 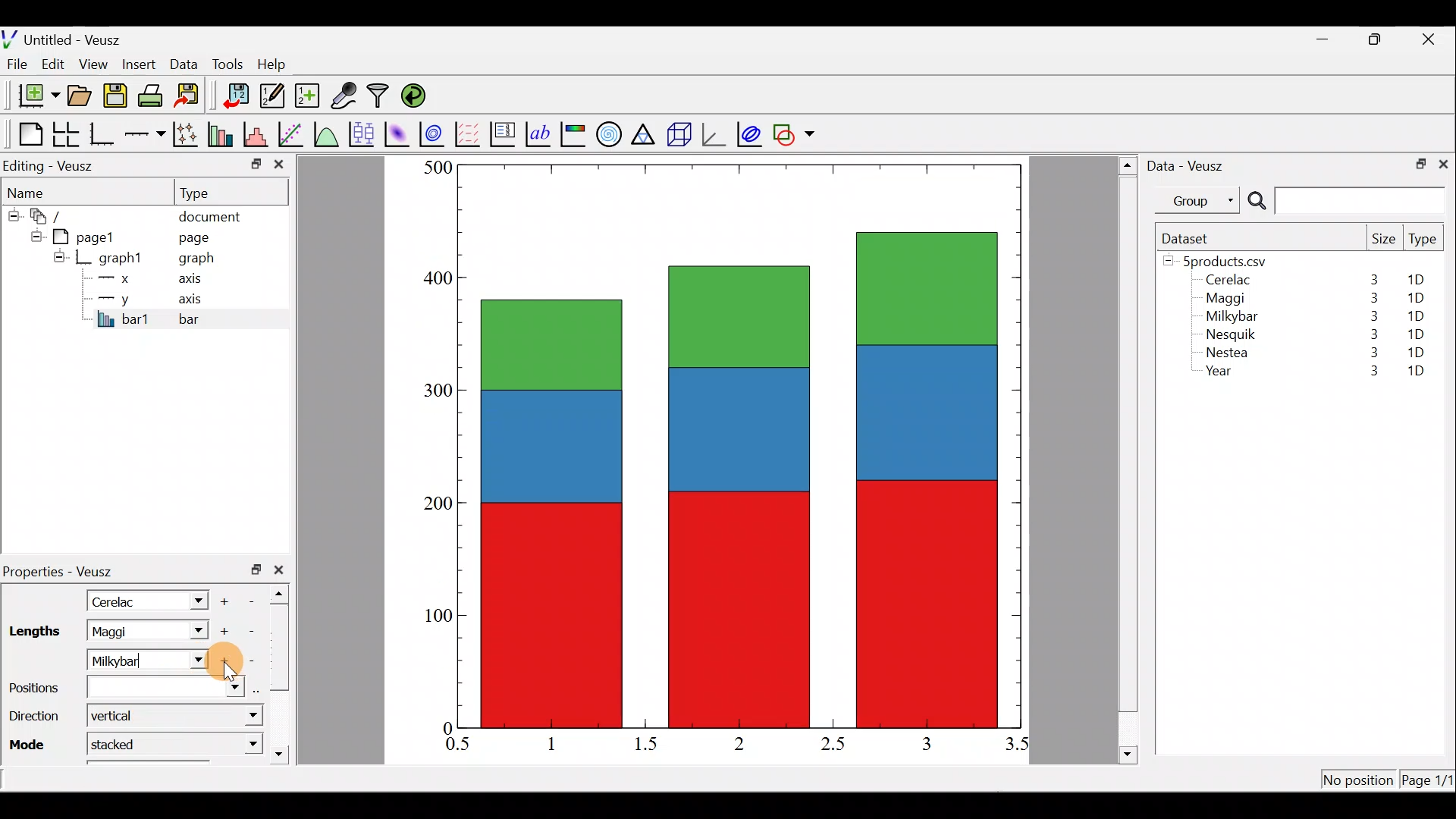 I want to click on restore down, so click(x=256, y=570).